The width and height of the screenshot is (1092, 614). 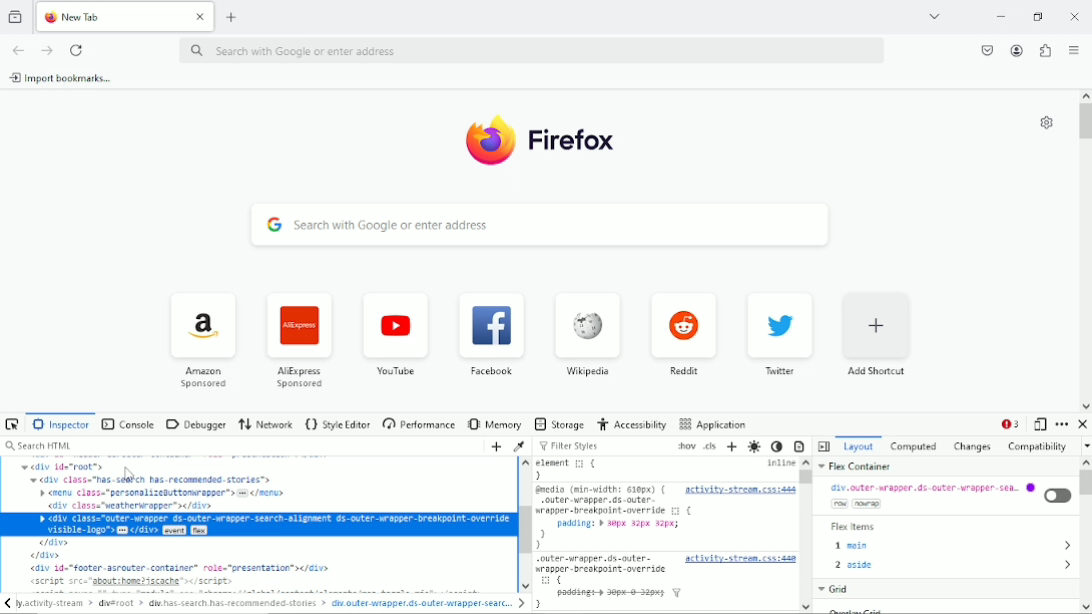 I want to click on Pick an element from the page, so click(x=13, y=423).